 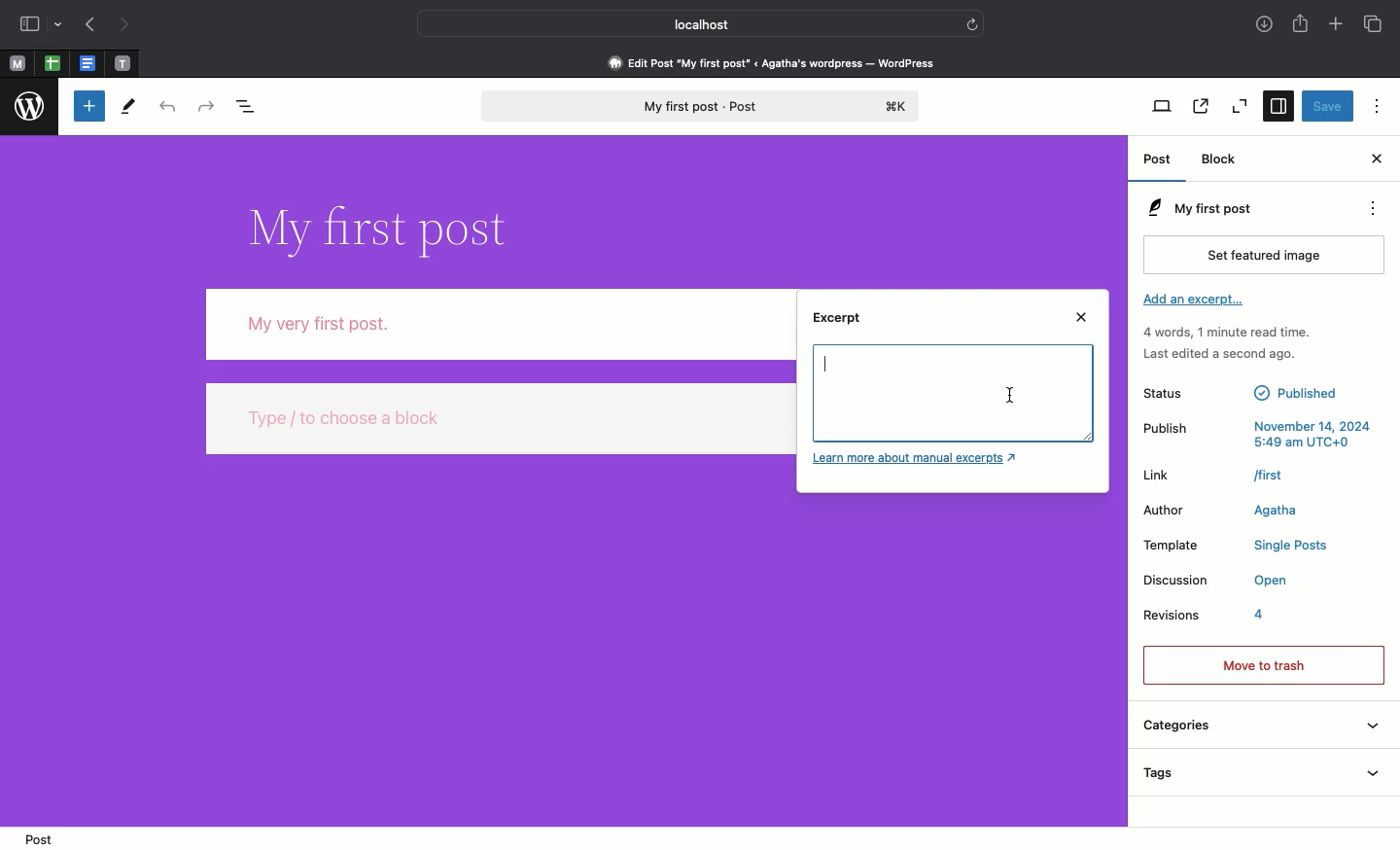 I want to click on Close, so click(x=1375, y=159).